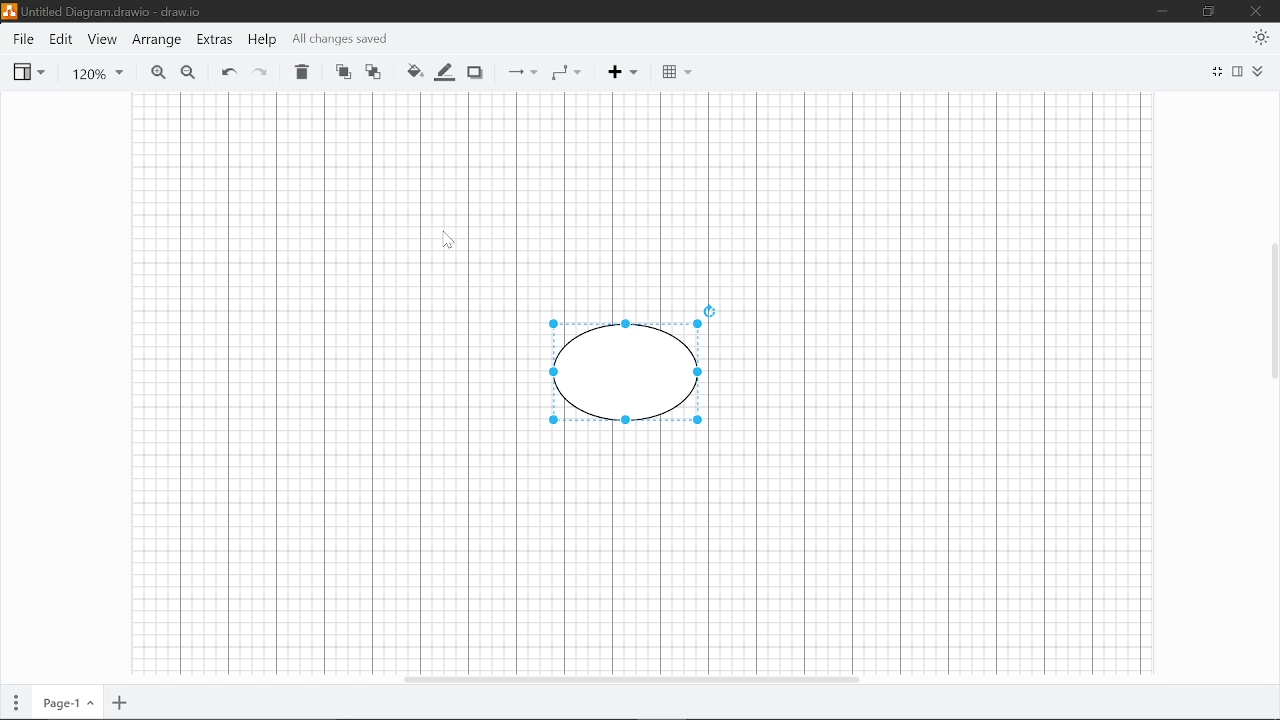 The width and height of the screenshot is (1280, 720). What do you see at coordinates (628, 366) in the screenshot?
I see `Shape drawn` at bounding box center [628, 366].